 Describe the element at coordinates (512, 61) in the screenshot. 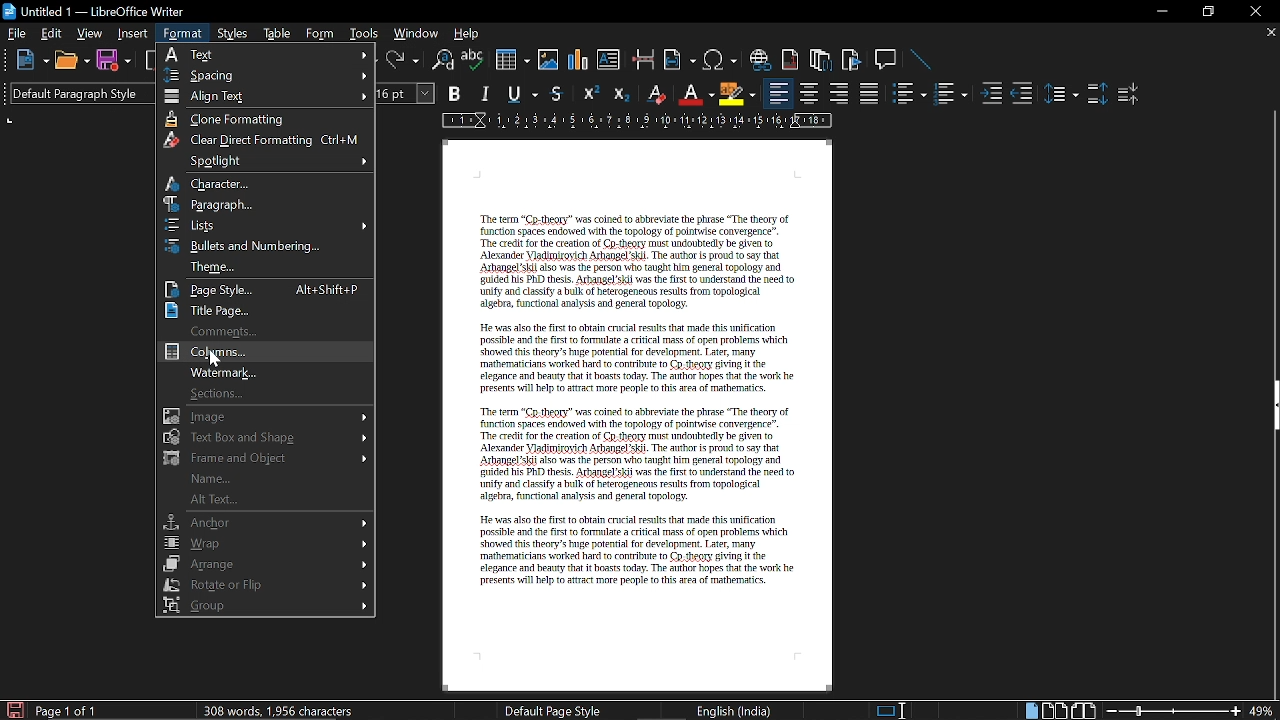

I see `Insert table` at that location.